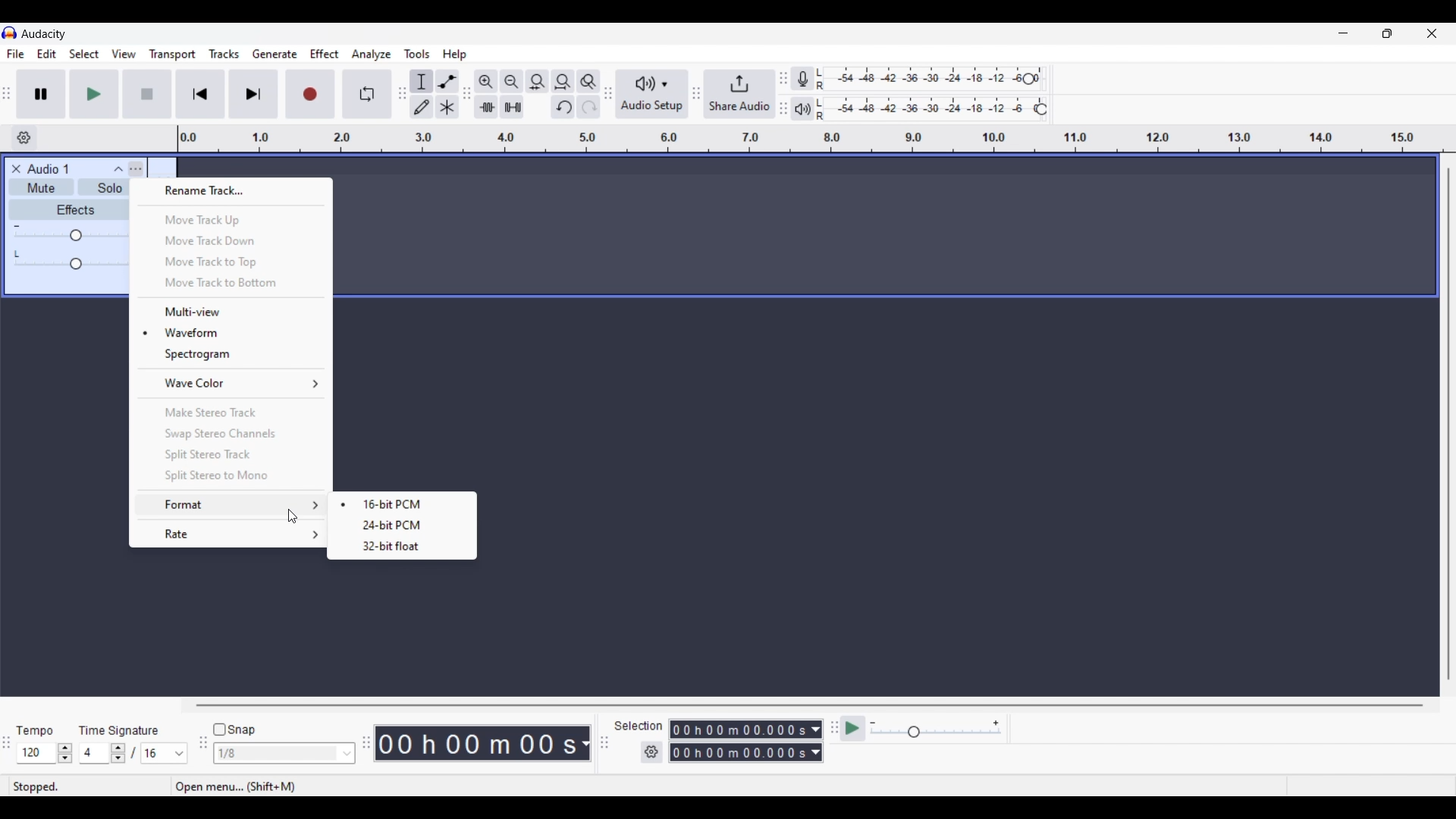 The image size is (1456, 819). Describe the element at coordinates (232, 412) in the screenshot. I see `Make stereo track` at that location.